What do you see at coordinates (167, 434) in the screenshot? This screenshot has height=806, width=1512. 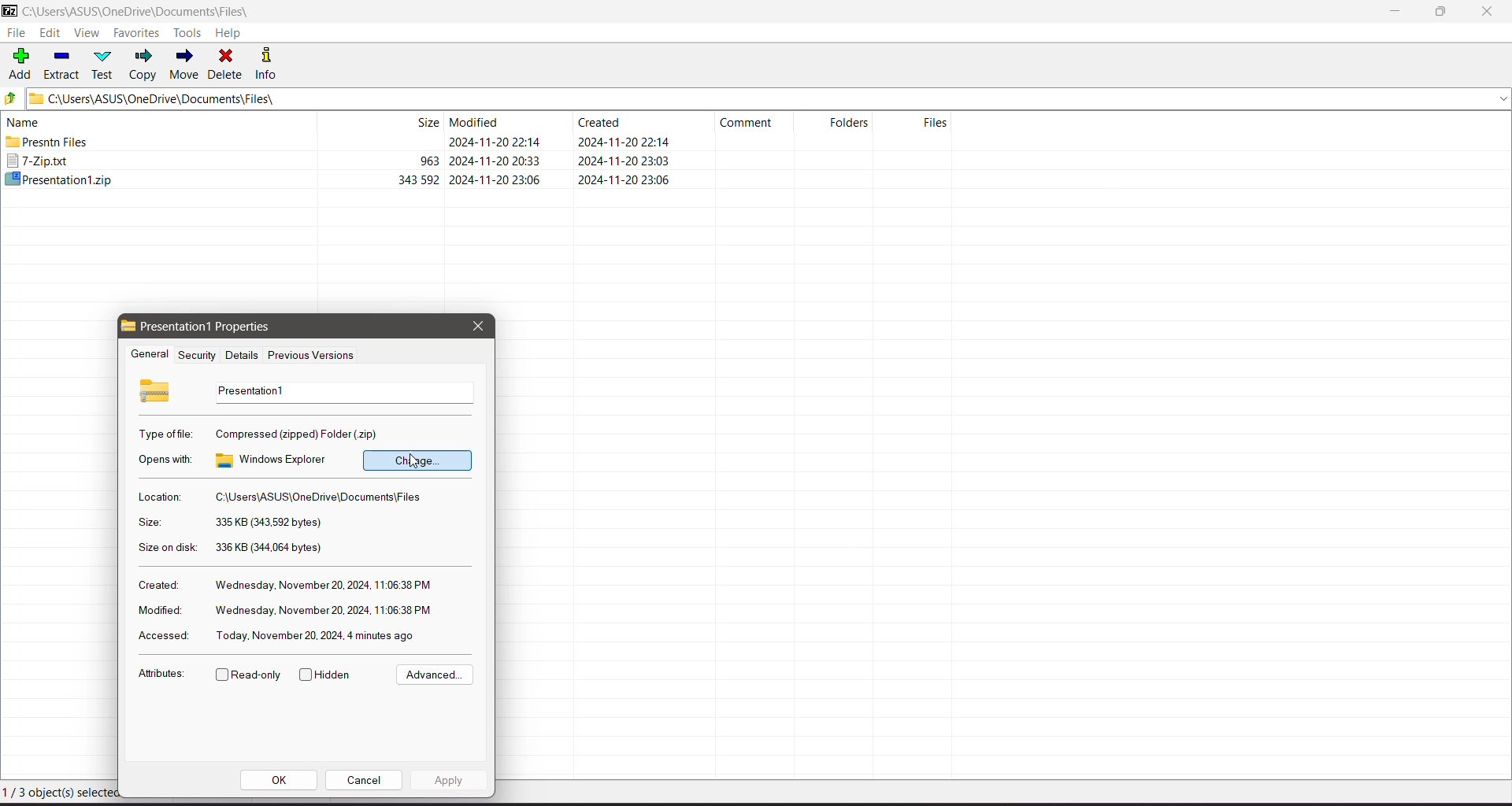 I see `Type of file` at bounding box center [167, 434].